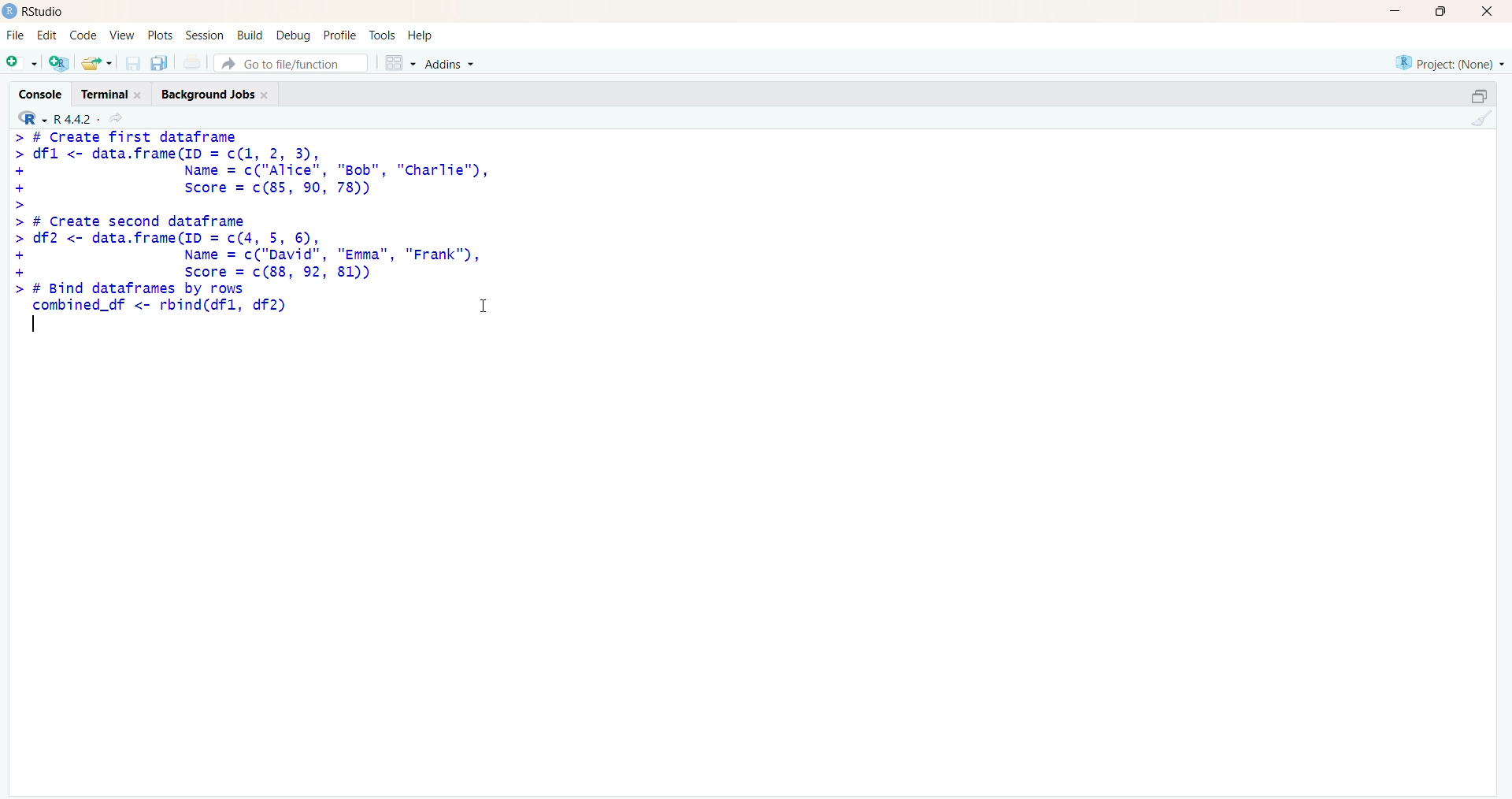 The width and height of the screenshot is (1512, 799). What do you see at coordinates (295, 35) in the screenshot?
I see `Debug` at bounding box center [295, 35].